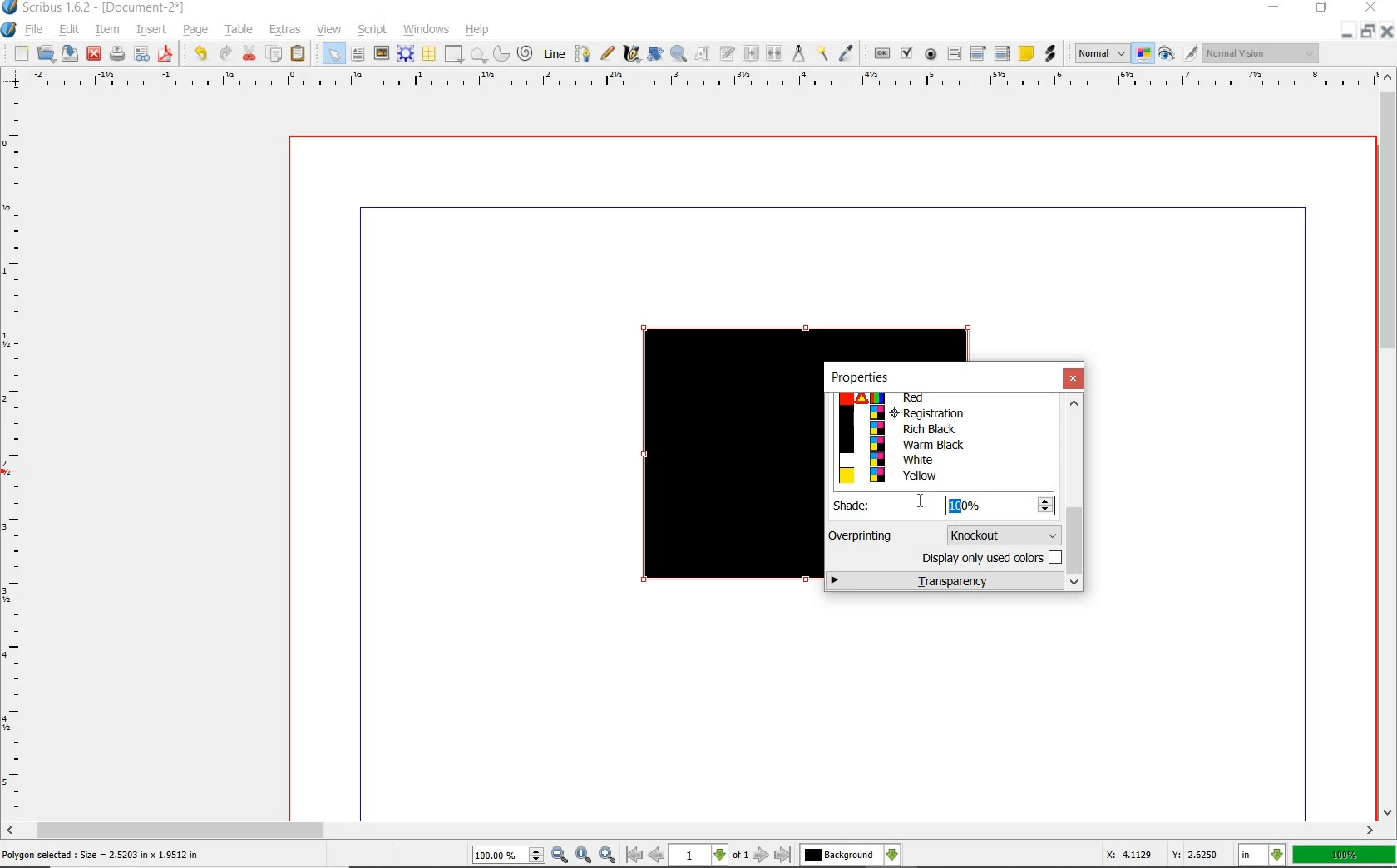  I want to click on pdf check box, so click(906, 54).